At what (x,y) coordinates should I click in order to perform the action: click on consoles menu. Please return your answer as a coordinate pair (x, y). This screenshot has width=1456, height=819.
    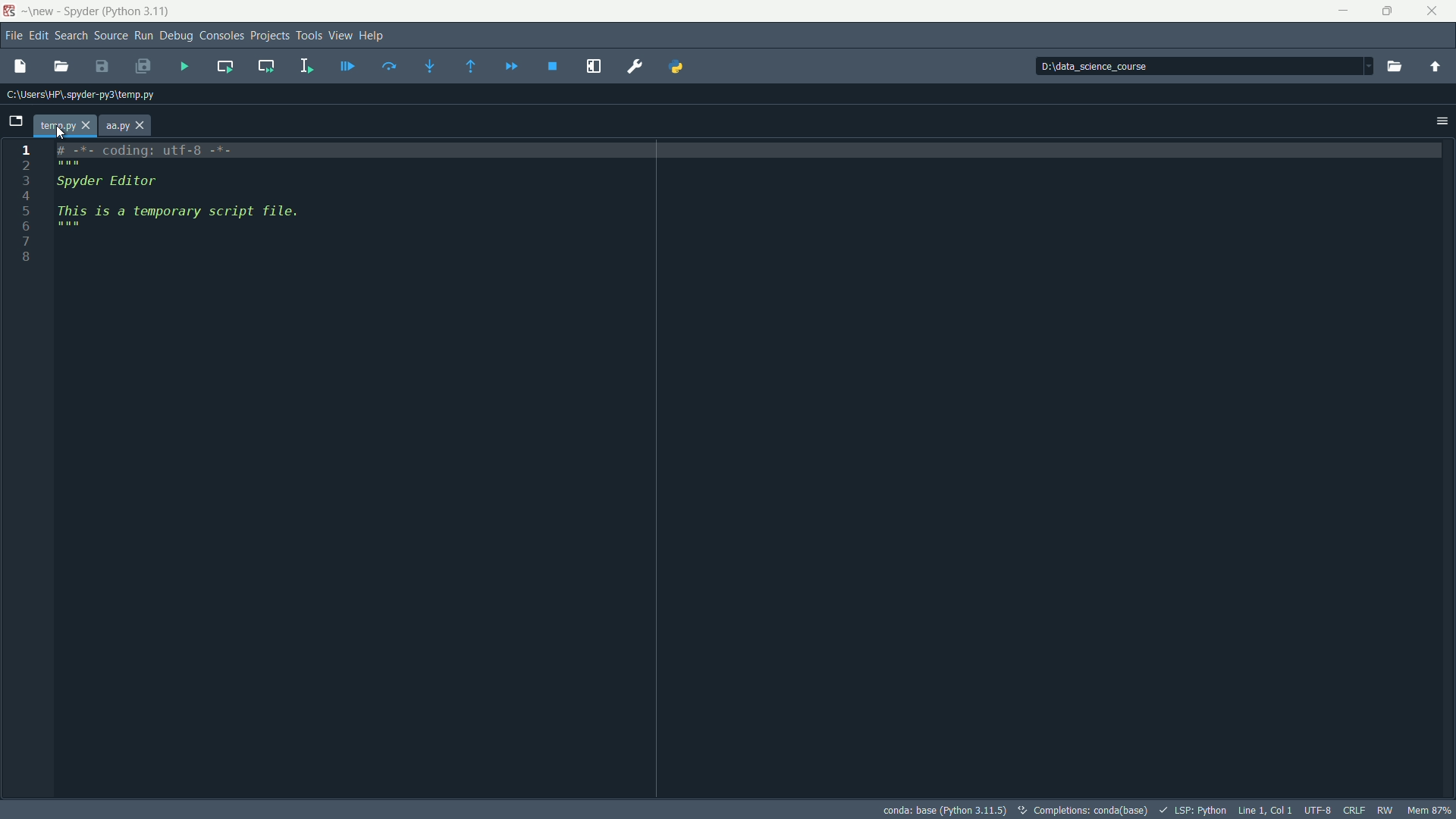
    Looking at the image, I should click on (221, 36).